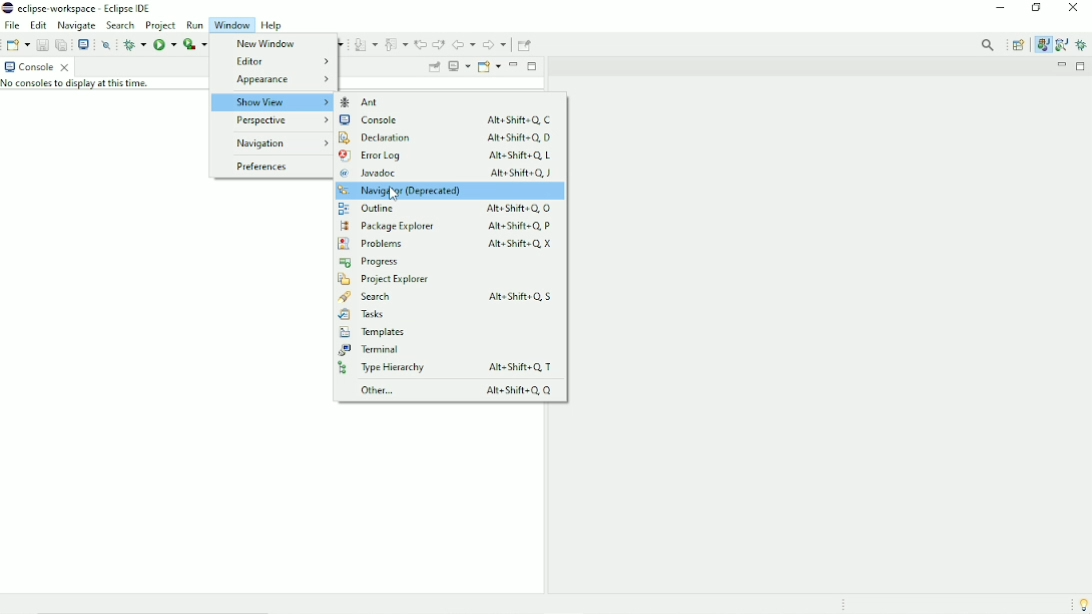 Image resolution: width=1092 pixels, height=614 pixels. What do you see at coordinates (526, 44) in the screenshot?
I see `Pin Editor` at bounding box center [526, 44].